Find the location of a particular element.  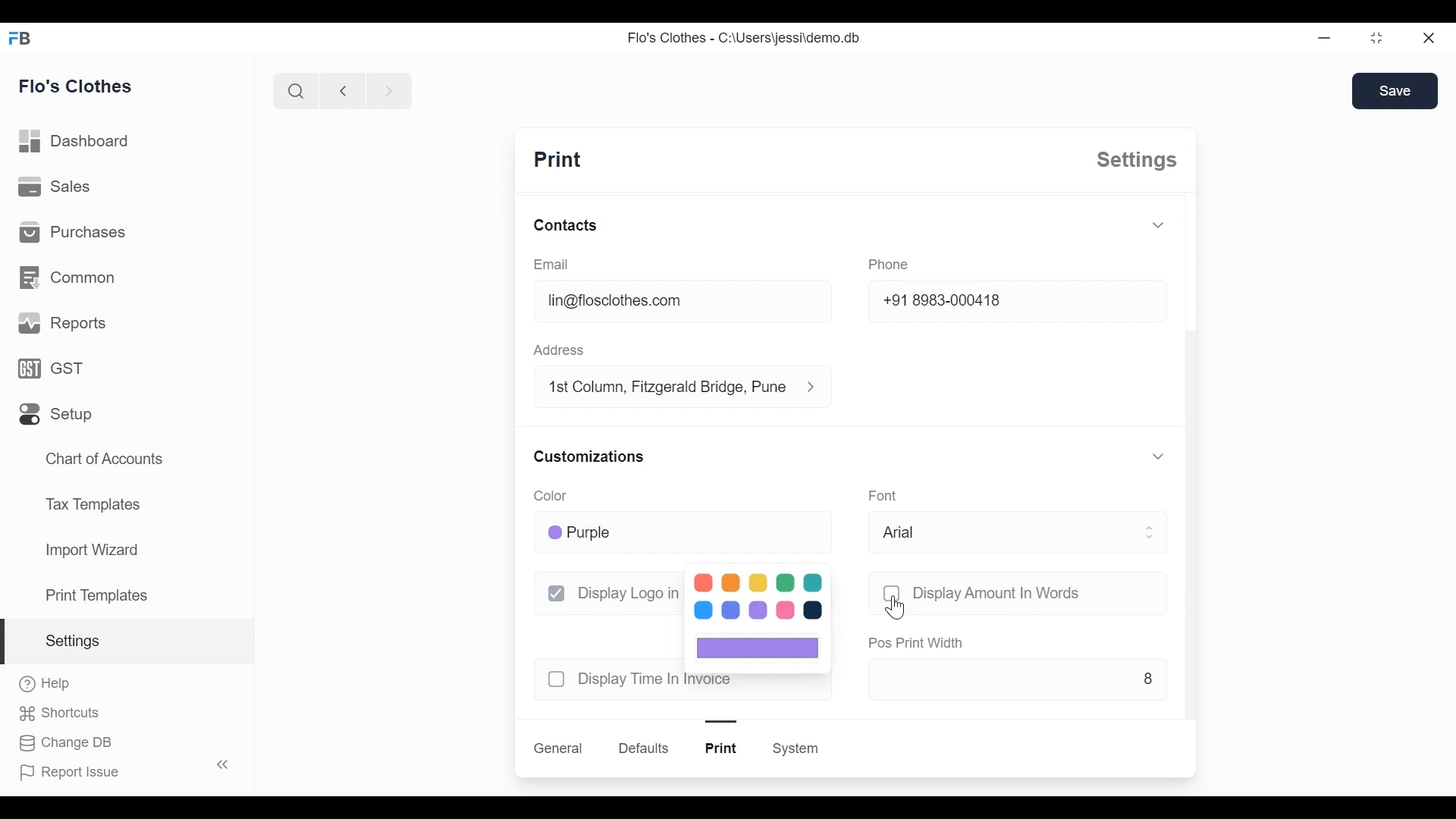

sales is located at coordinates (55, 185).